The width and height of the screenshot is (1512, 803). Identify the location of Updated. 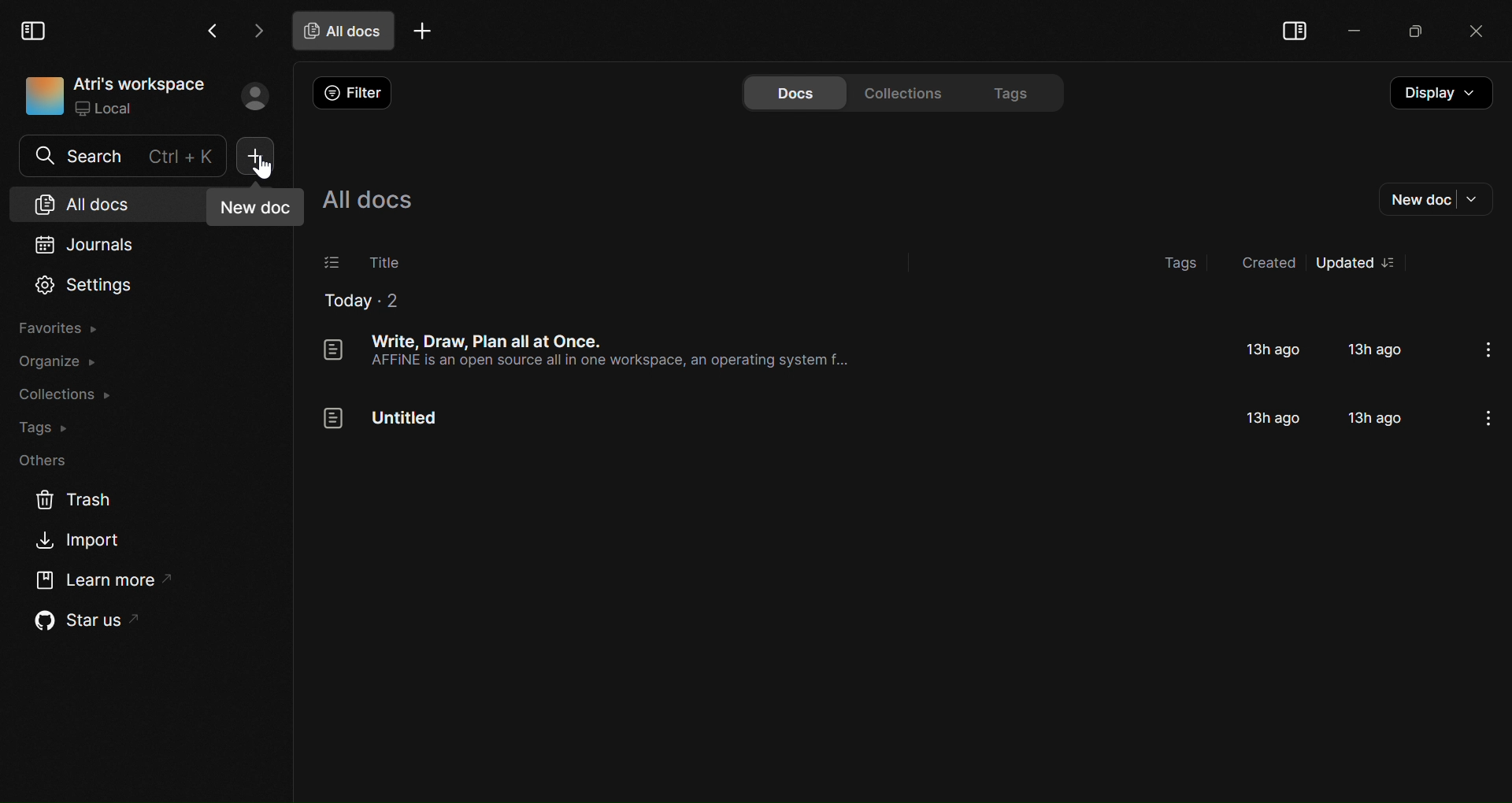
(1344, 262).